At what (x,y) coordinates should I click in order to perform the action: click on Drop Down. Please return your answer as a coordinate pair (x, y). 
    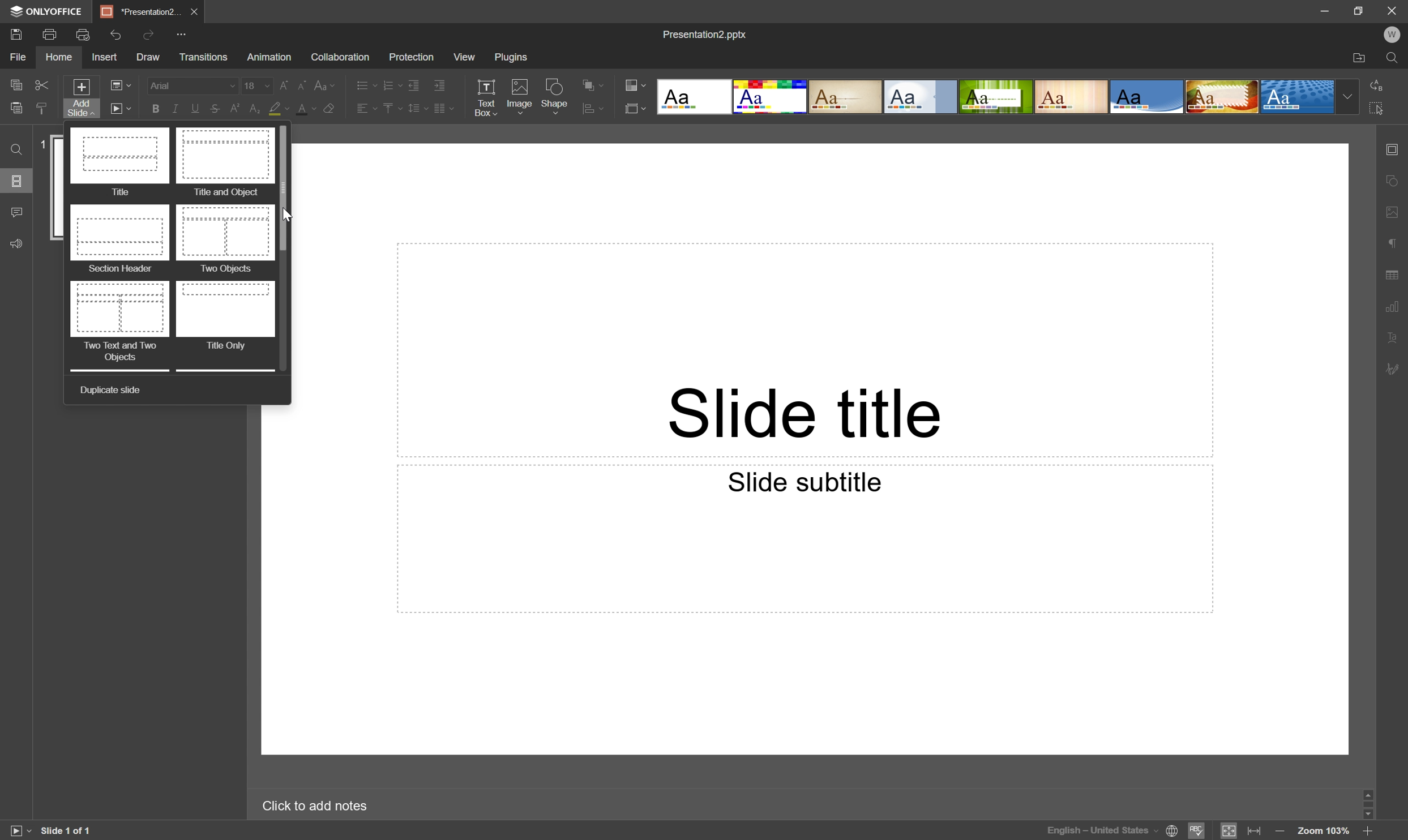
    Looking at the image, I should click on (1346, 97).